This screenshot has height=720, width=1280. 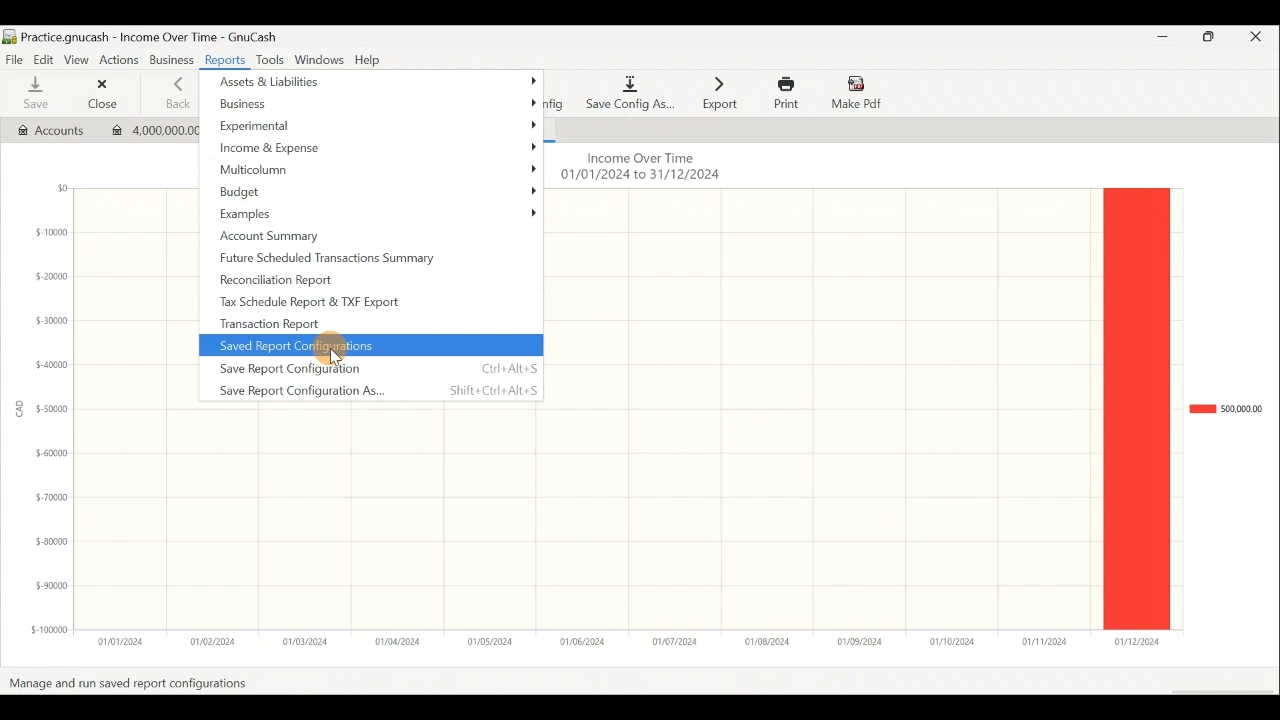 What do you see at coordinates (299, 279) in the screenshot?
I see `Reconciliation report` at bounding box center [299, 279].